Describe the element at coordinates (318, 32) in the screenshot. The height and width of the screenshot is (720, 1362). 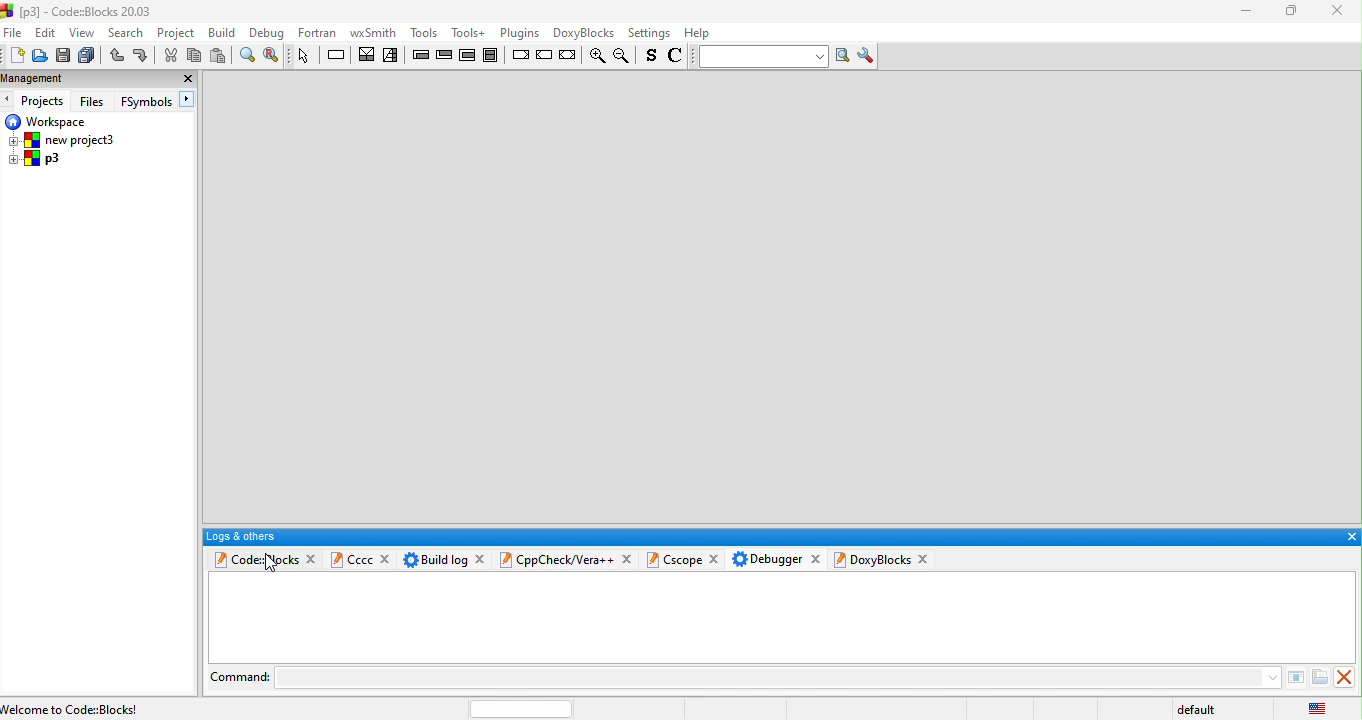
I see `fortan` at that location.